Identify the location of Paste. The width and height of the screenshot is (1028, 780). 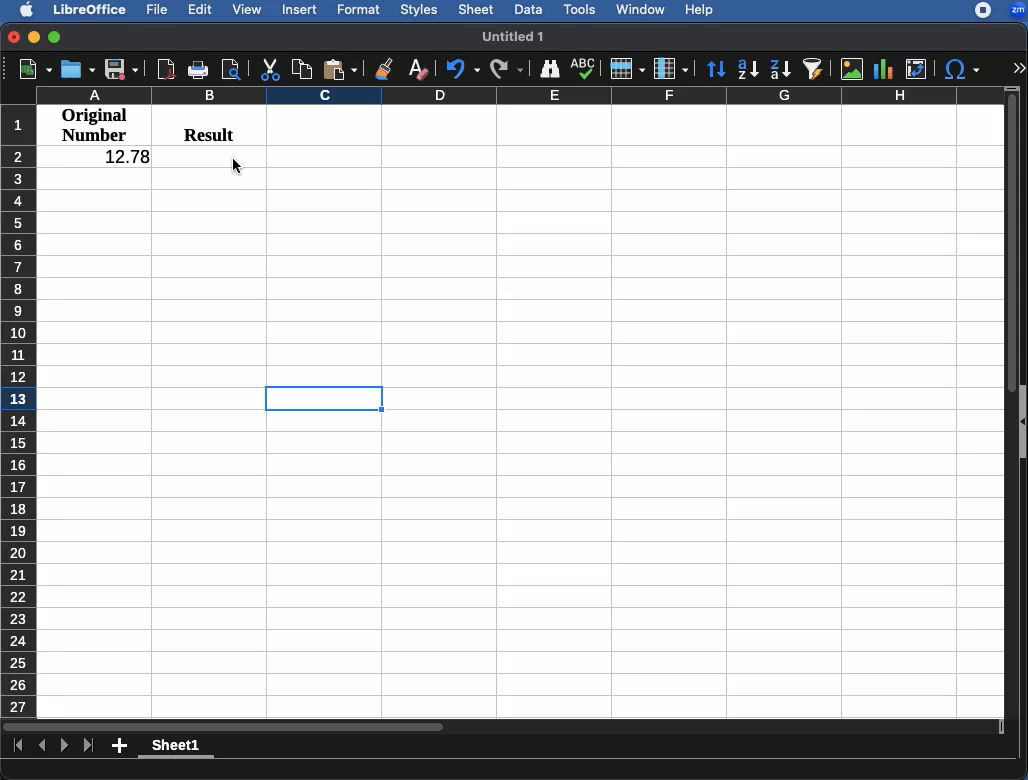
(341, 66).